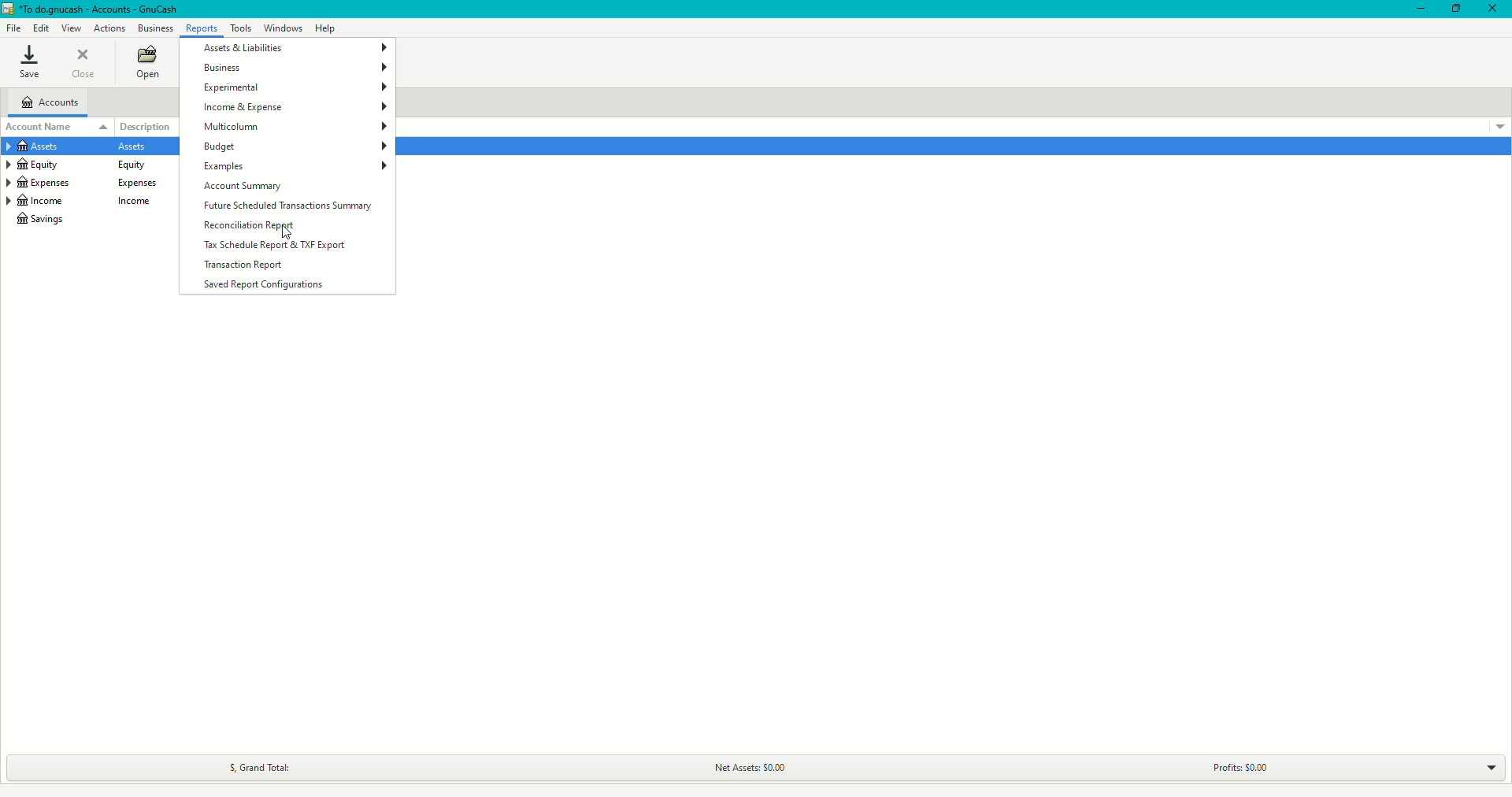 Image resolution: width=1512 pixels, height=797 pixels. I want to click on Account Summary, so click(248, 187).